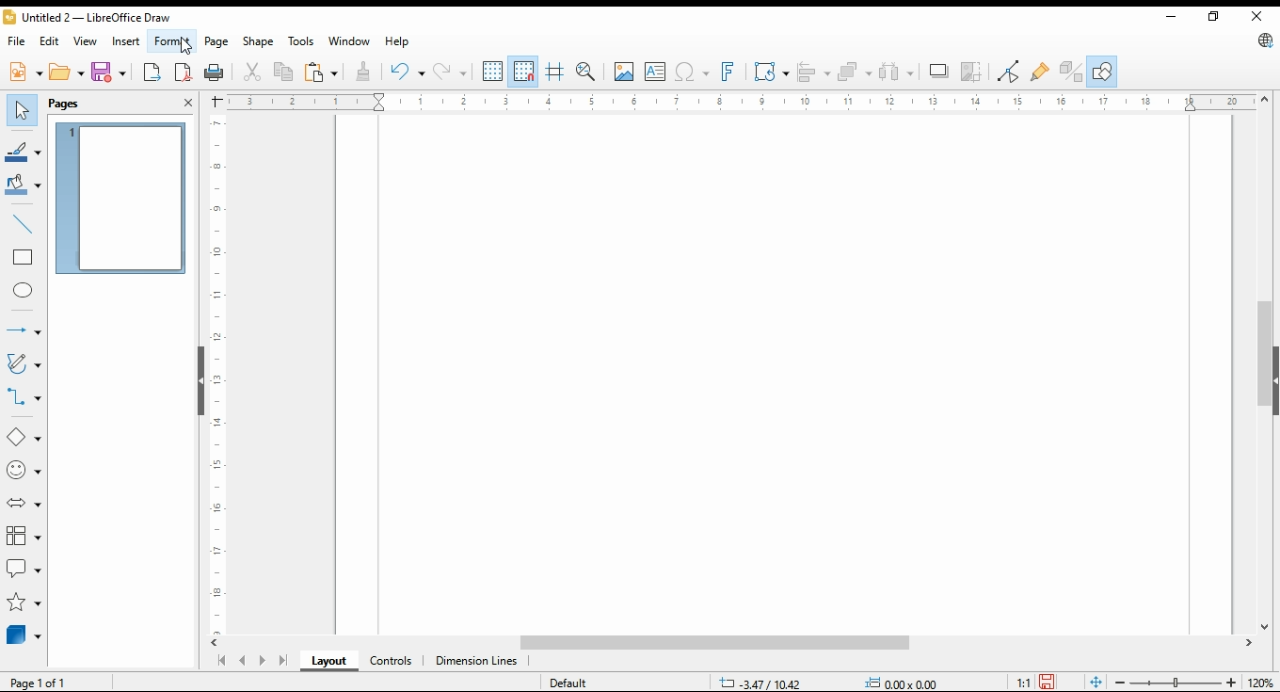  What do you see at coordinates (449, 71) in the screenshot?
I see `redo` at bounding box center [449, 71].